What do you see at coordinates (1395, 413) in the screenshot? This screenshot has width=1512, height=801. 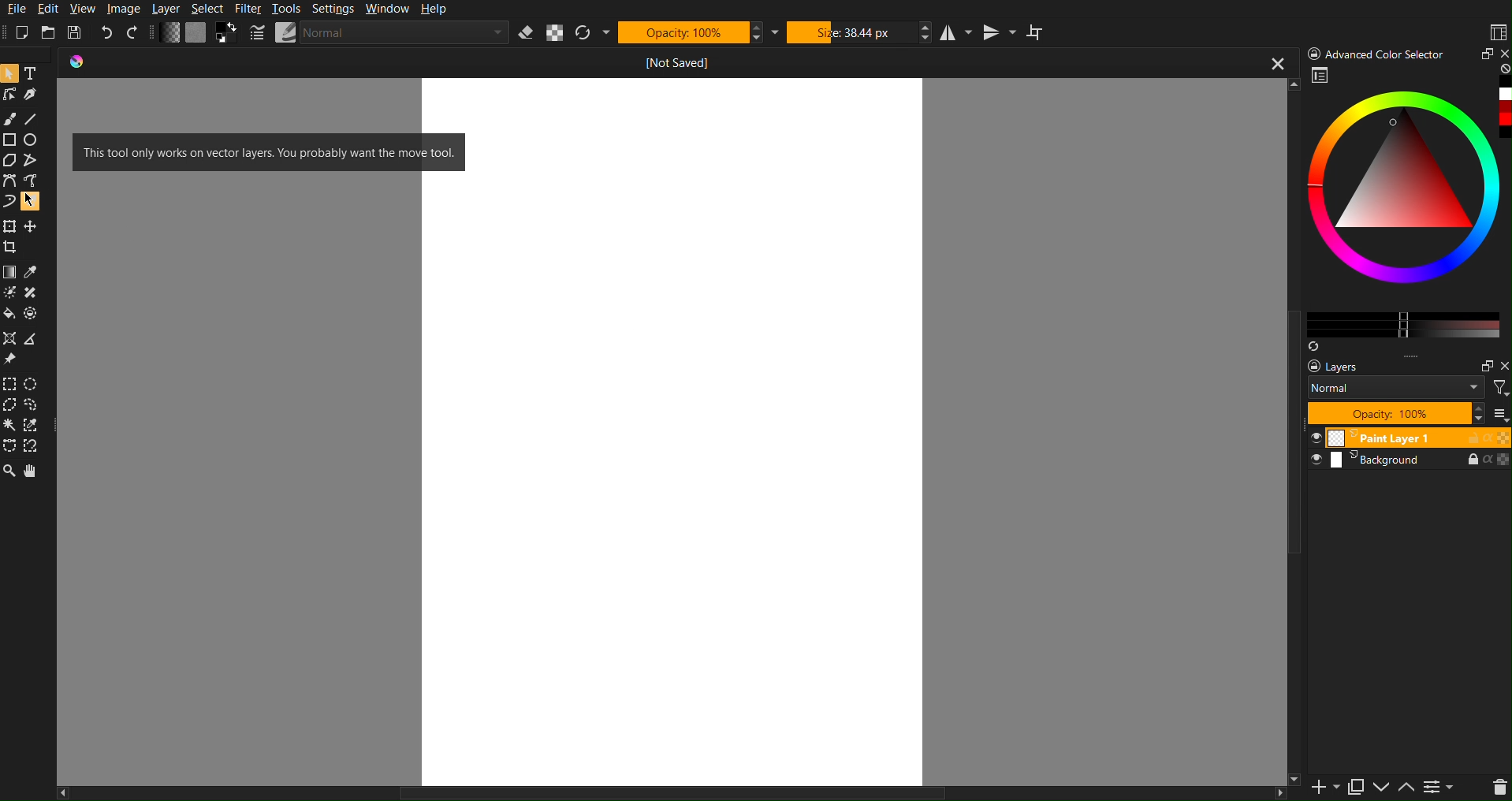 I see `Opacity 100%` at bounding box center [1395, 413].